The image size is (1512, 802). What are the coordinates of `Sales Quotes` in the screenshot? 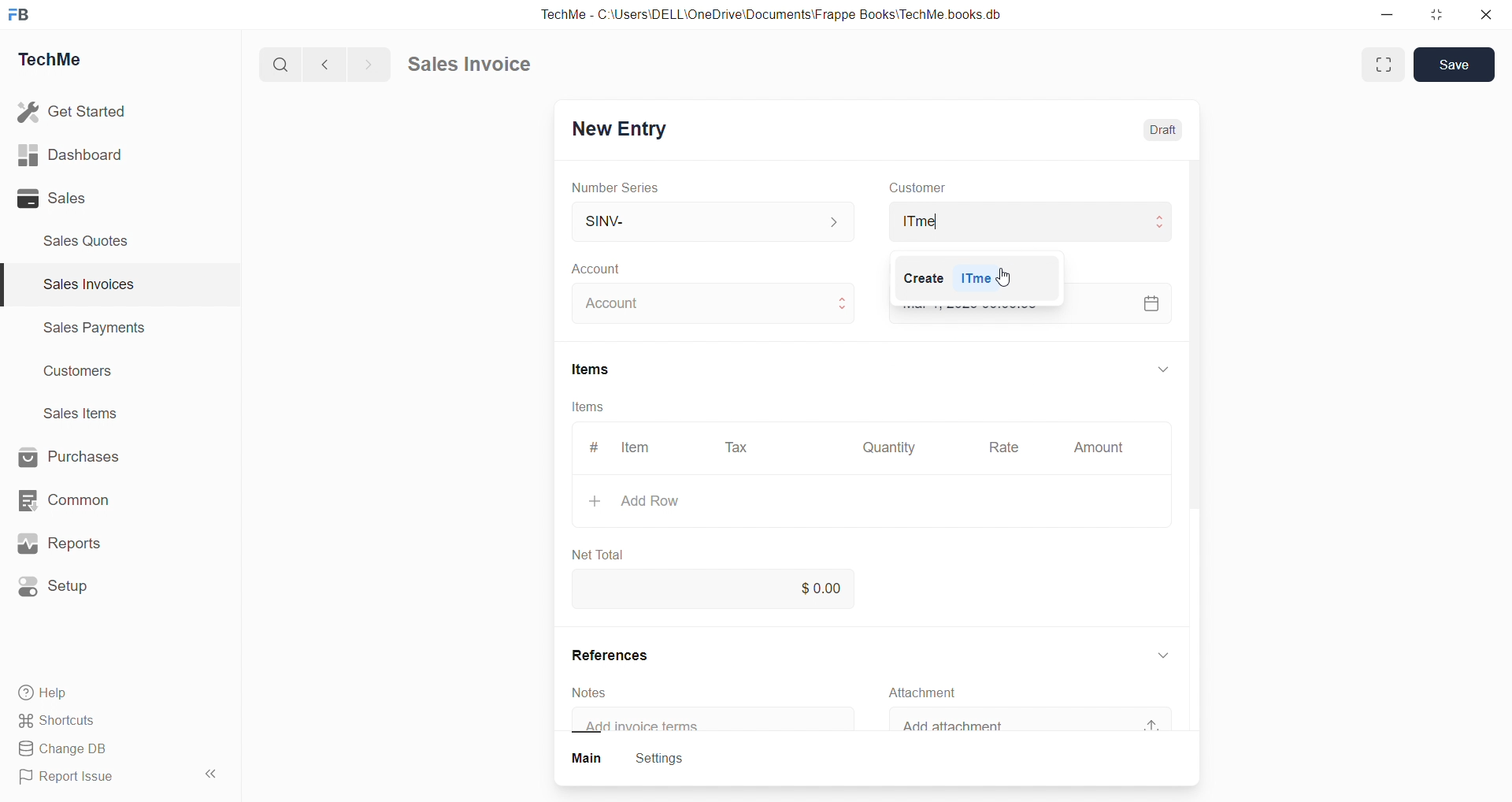 It's located at (92, 240).